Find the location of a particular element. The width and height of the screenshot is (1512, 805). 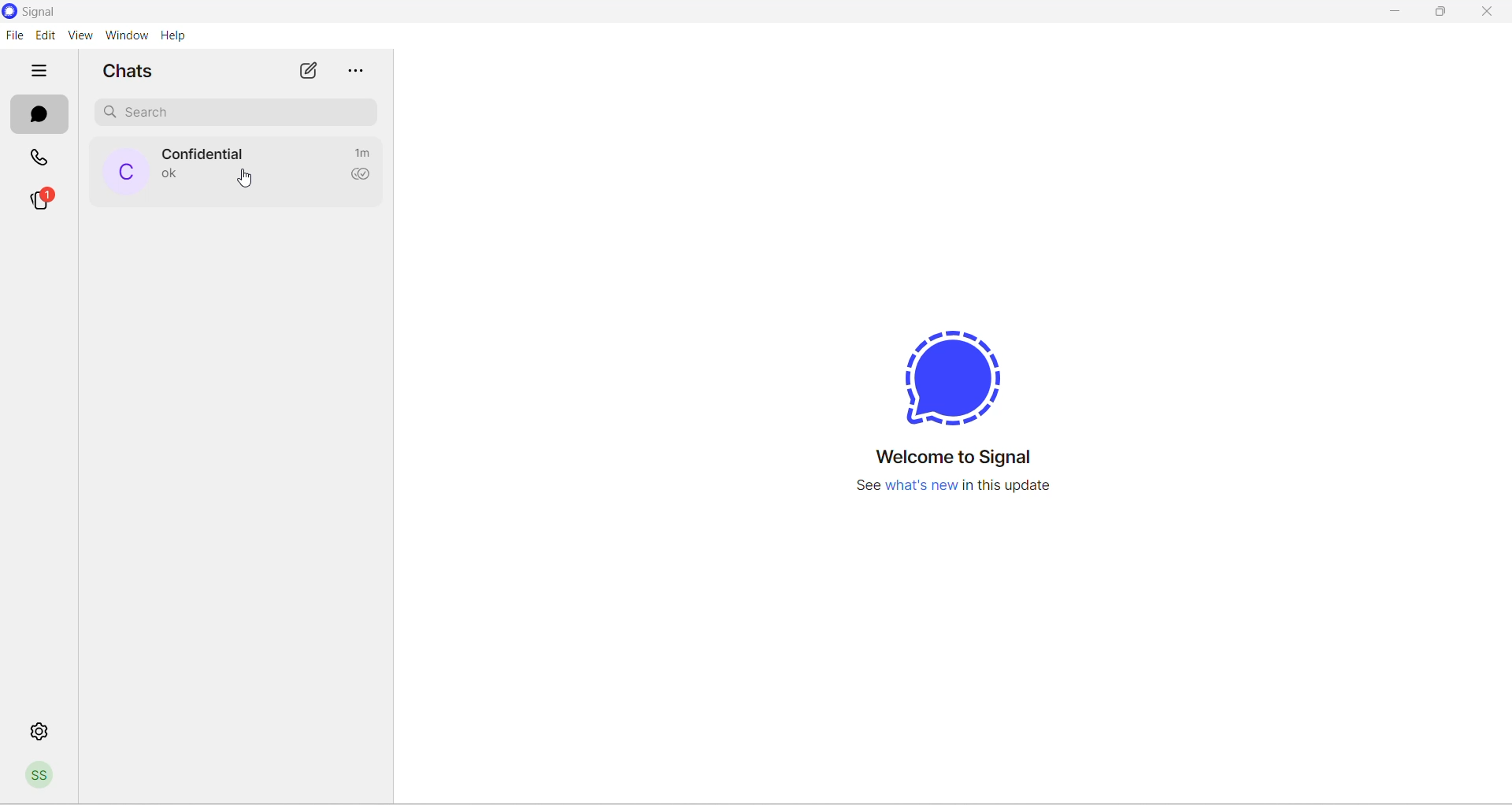

minimize is located at coordinates (1393, 13).